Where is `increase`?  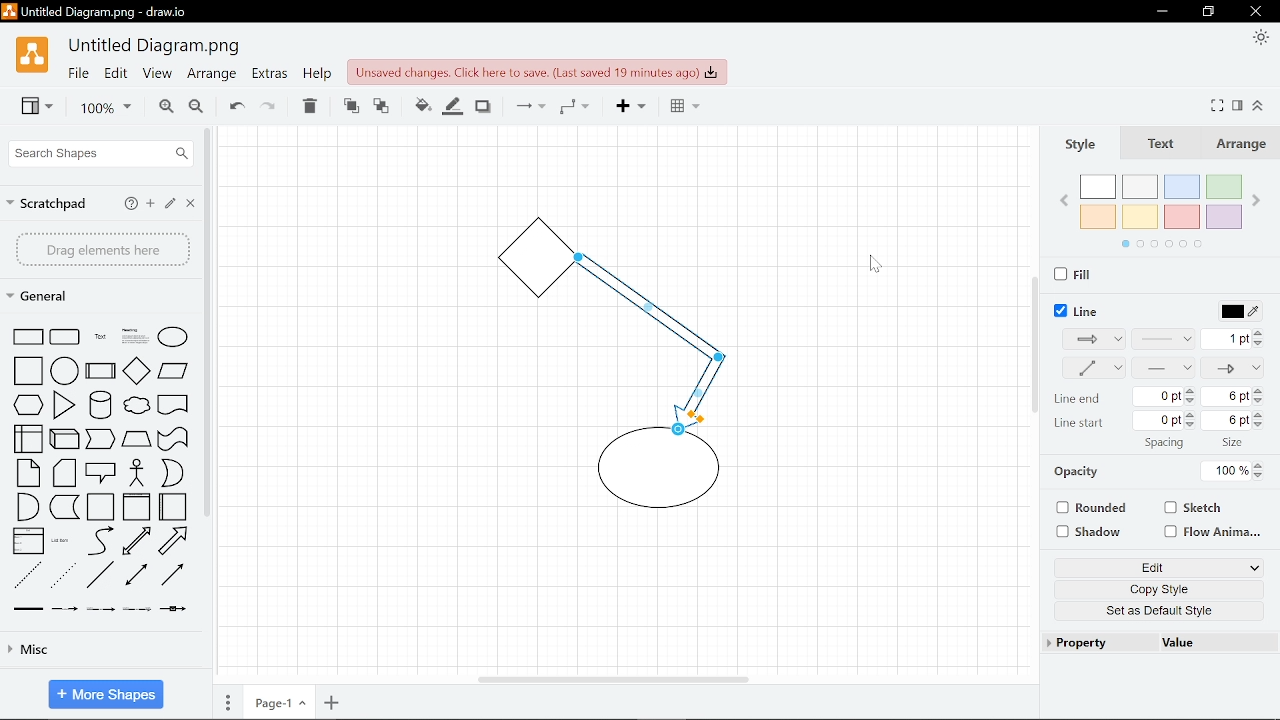 increase is located at coordinates (1188, 390).